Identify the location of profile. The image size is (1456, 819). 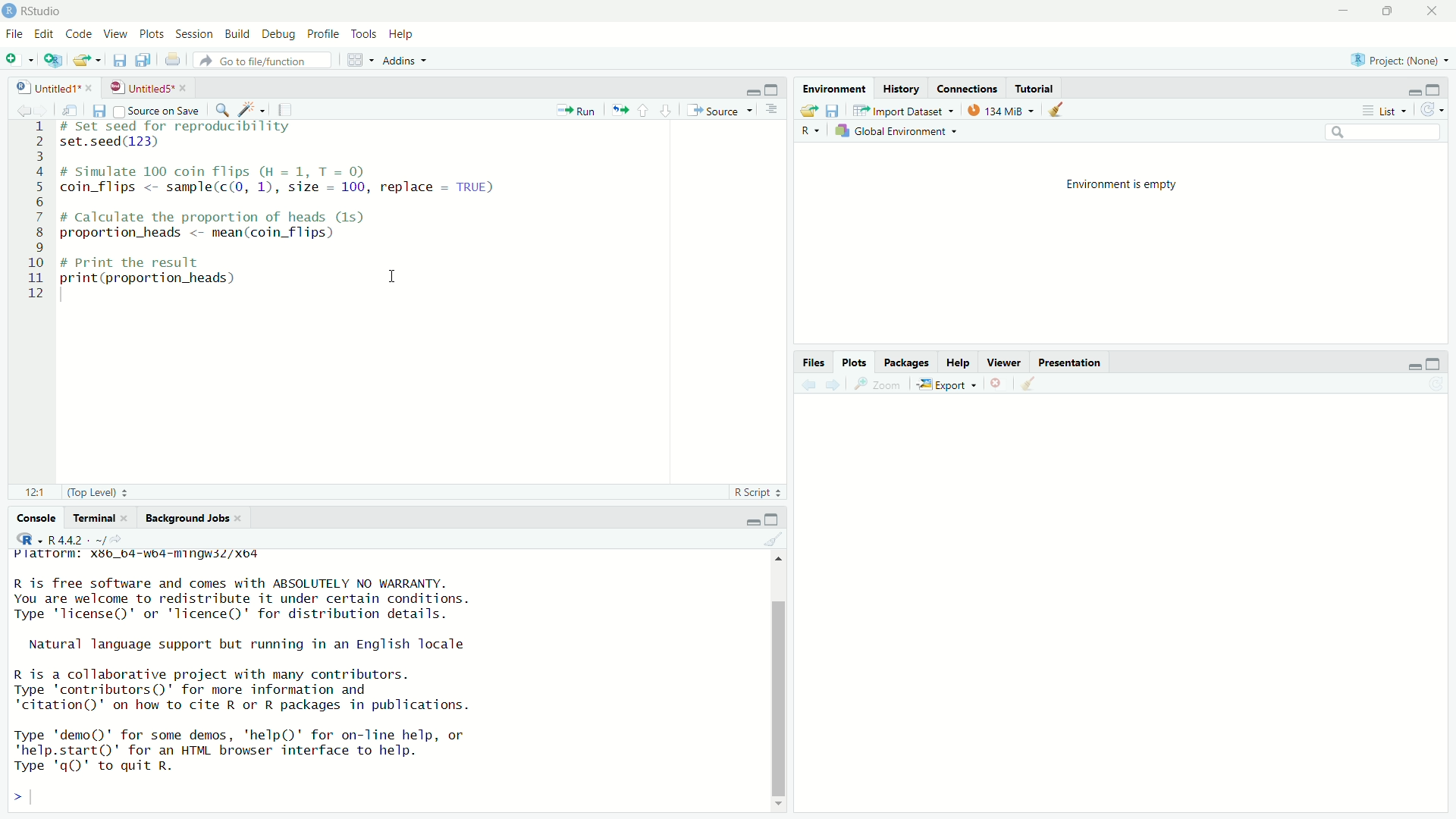
(325, 33).